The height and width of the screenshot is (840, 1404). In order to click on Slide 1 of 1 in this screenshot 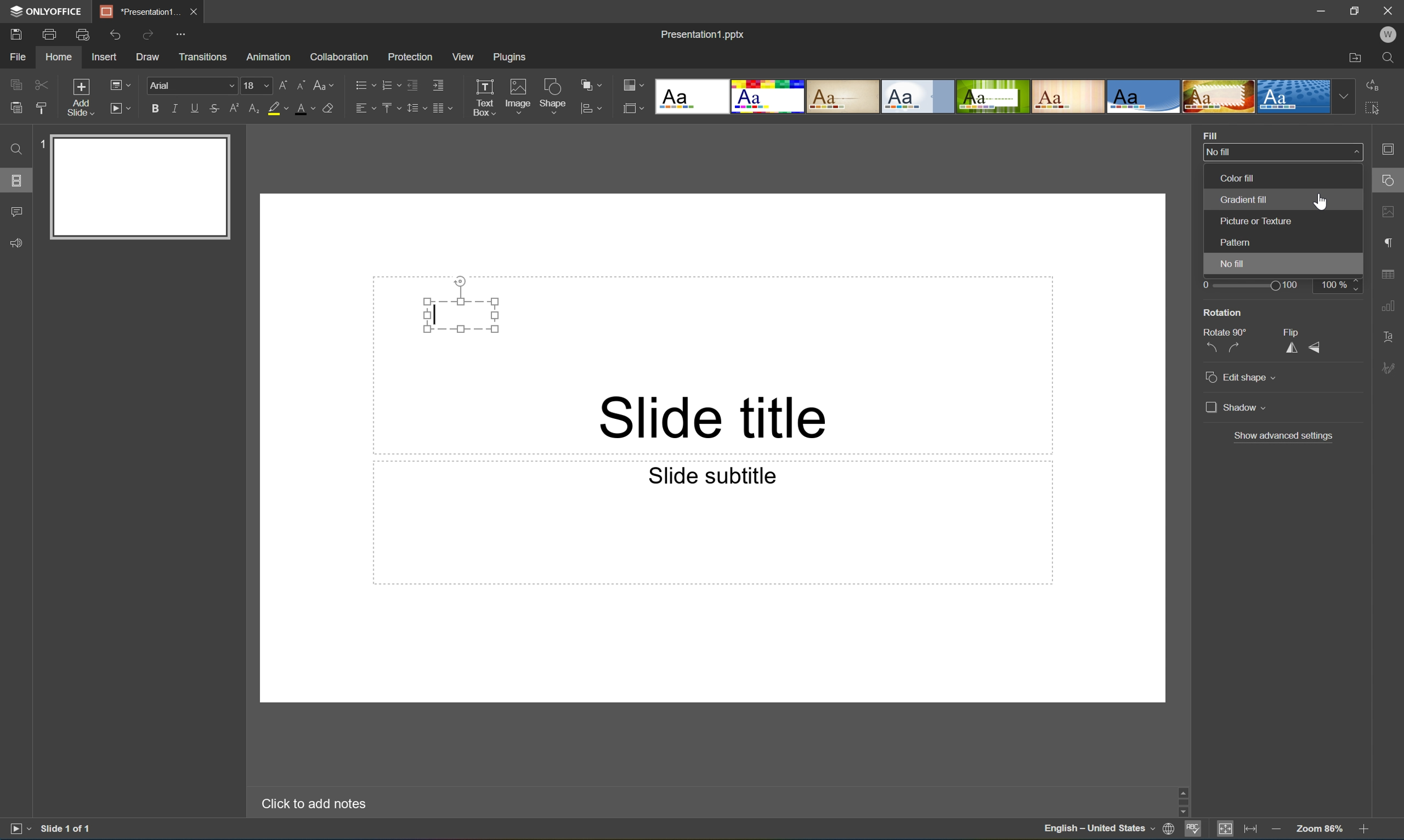, I will do `click(67, 828)`.